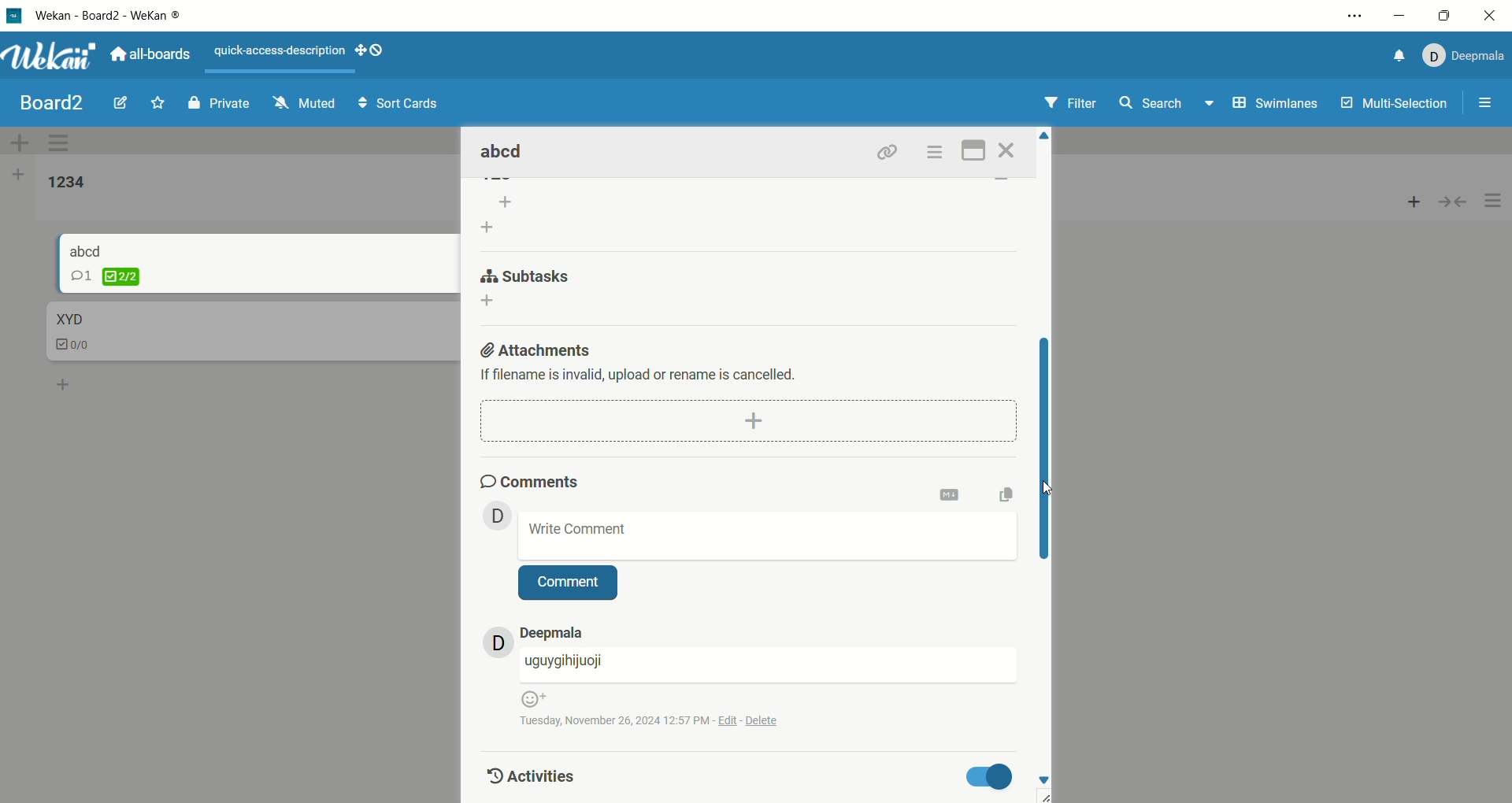 This screenshot has height=803, width=1512. What do you see at coordinates (1396, 104) in the screenshot?
I see `multi-selection` at bounding box center [1396, 104].